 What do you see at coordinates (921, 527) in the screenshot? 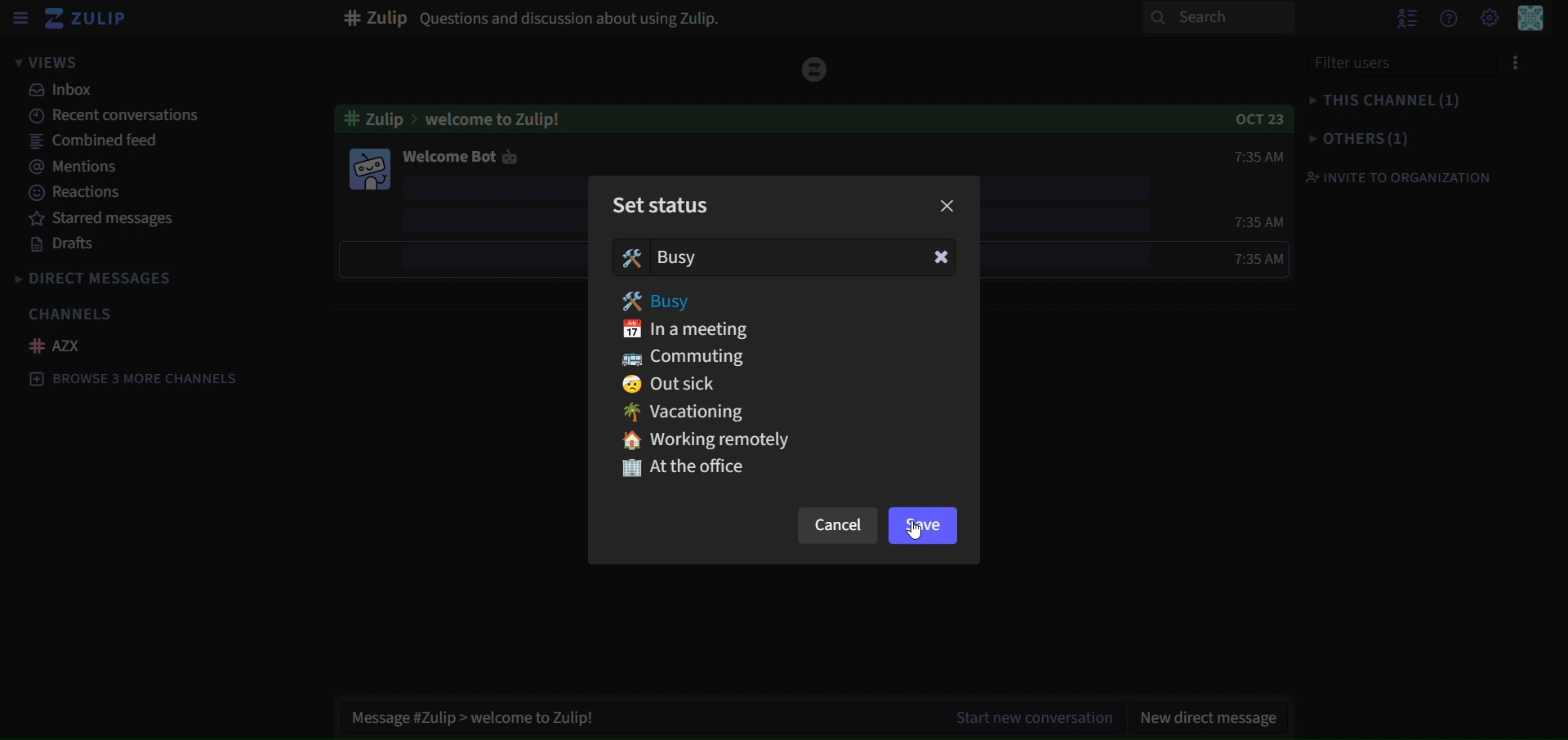
I see `save` at bounding box center [921, 527].